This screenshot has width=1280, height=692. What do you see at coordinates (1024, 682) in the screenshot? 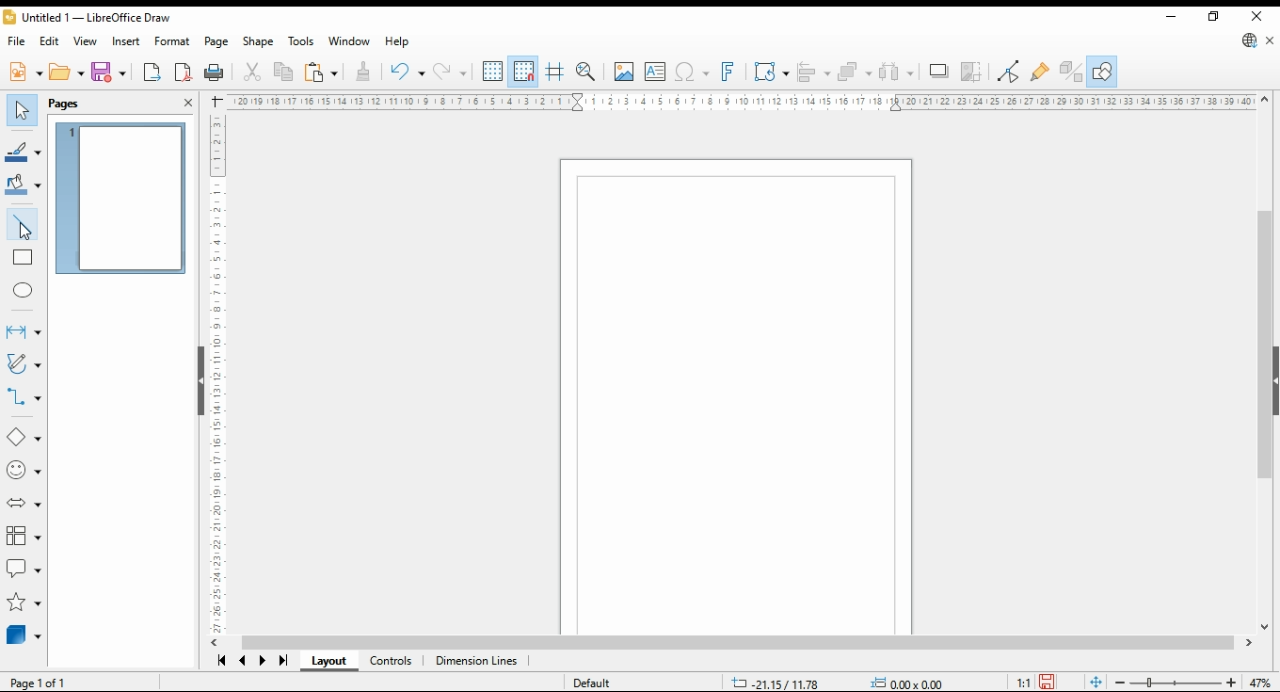
I see `1:1` at bounding box center [1024, 682].